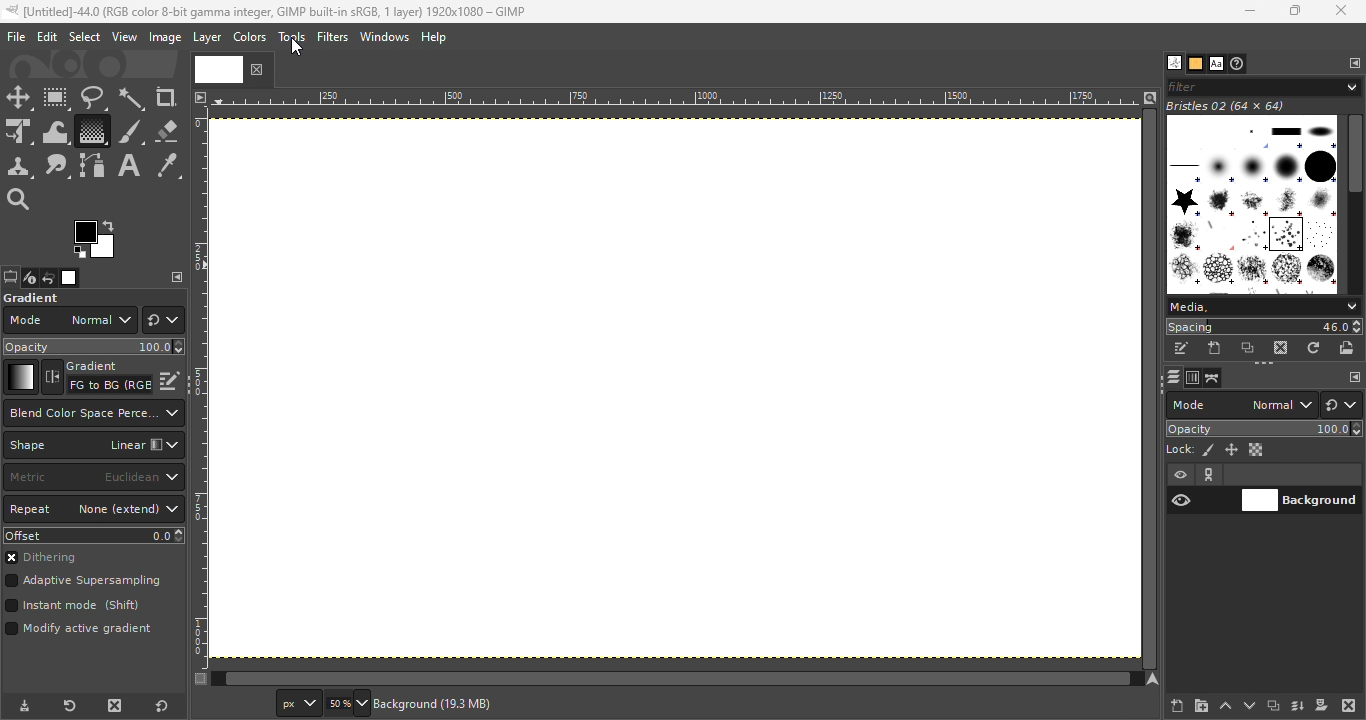  I want to click on Opacity, so click(1266, 429).